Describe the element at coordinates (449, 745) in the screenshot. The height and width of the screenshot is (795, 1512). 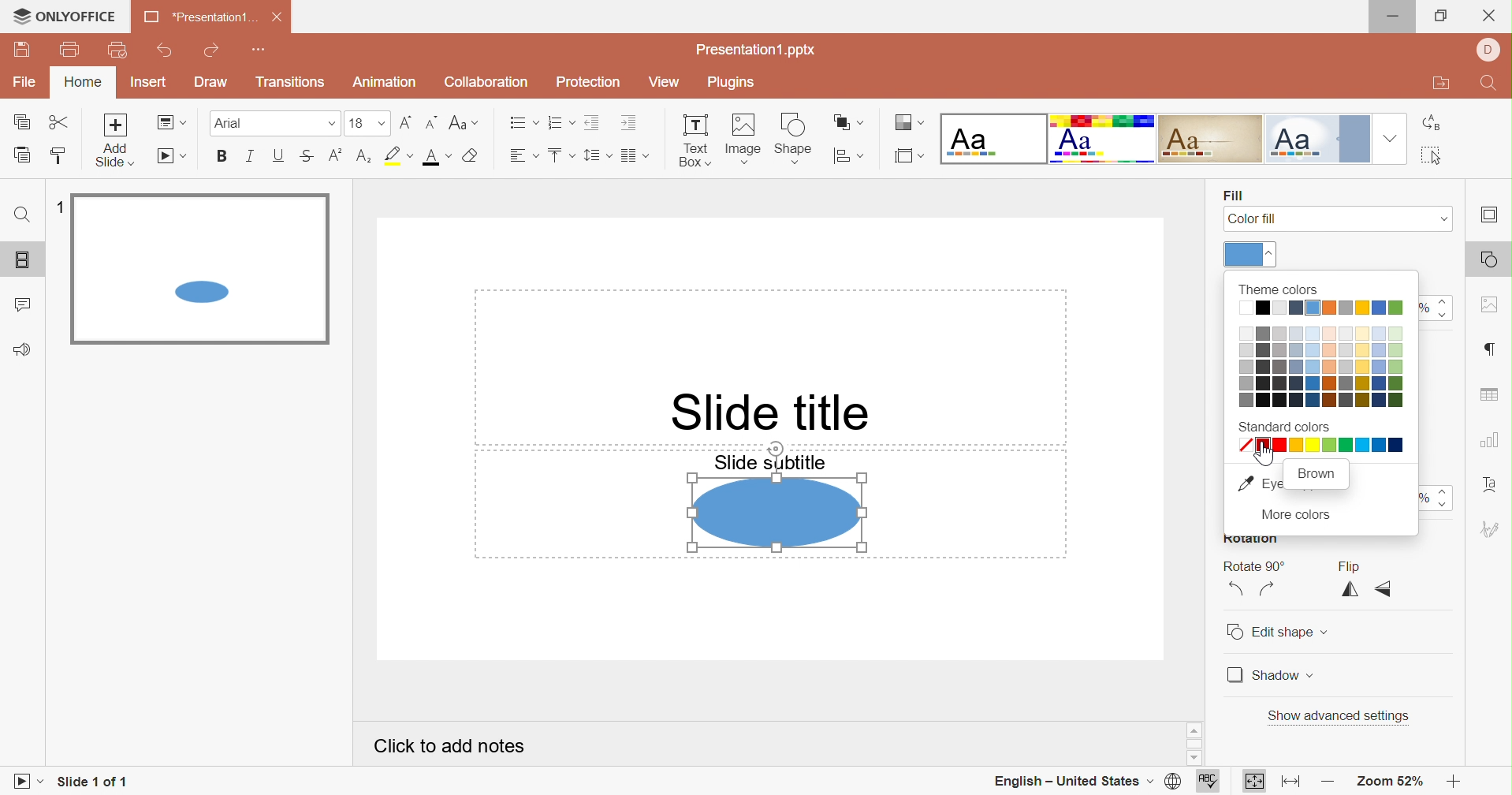
I see `Click to add notes` at that location.